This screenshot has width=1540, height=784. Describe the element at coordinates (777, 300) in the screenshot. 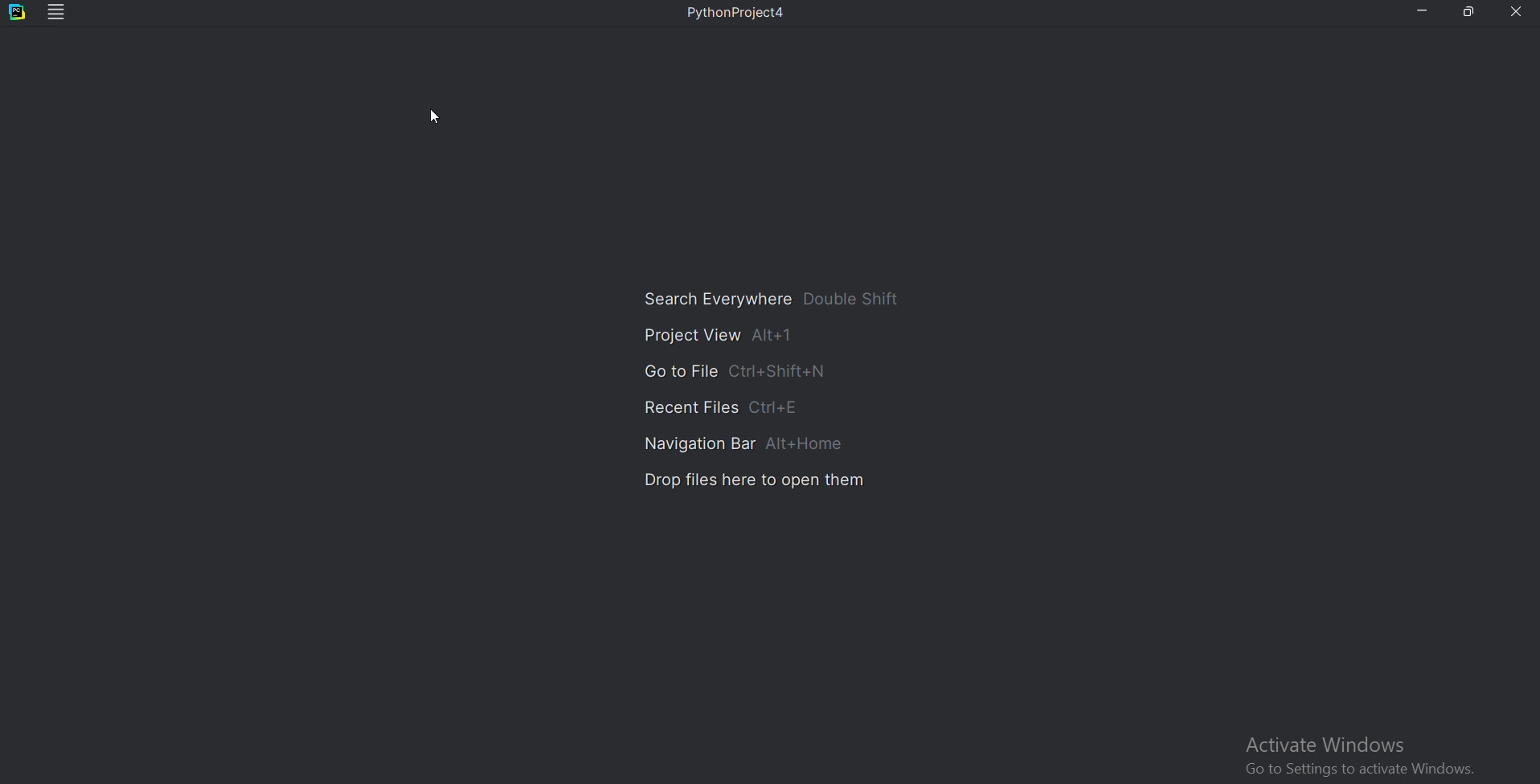

I see `Search Everywhere` at that location.